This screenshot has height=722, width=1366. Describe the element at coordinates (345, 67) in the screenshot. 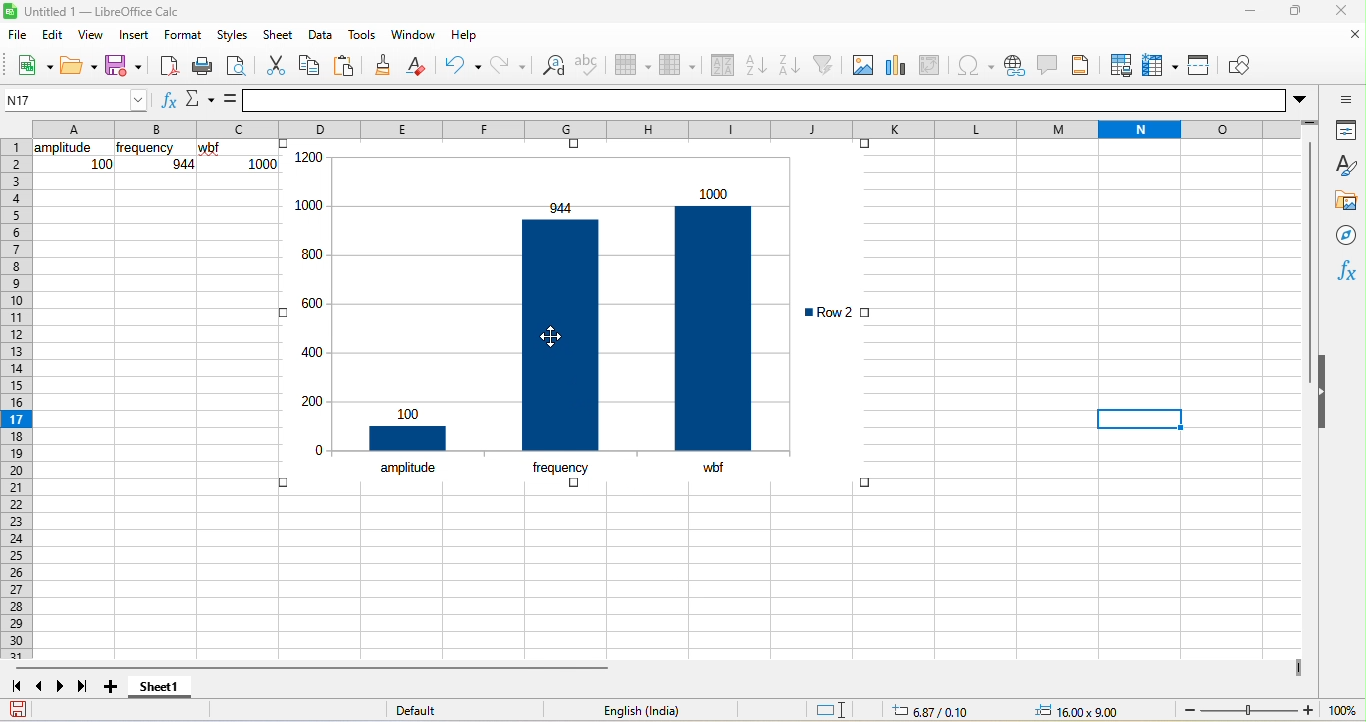

I see `paste` at that location.